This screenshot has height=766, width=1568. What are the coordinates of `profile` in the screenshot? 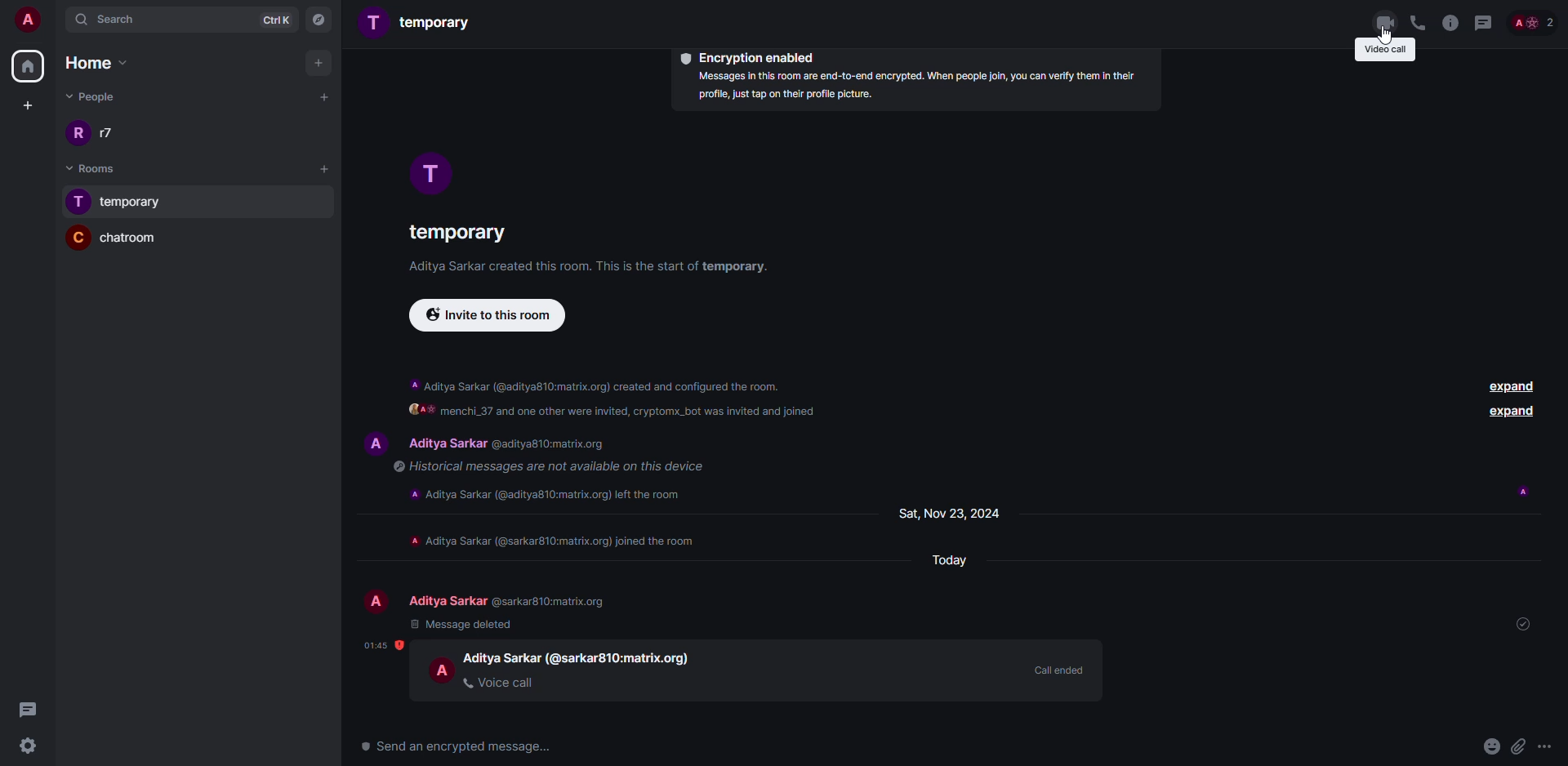 It's located at (78, 202).